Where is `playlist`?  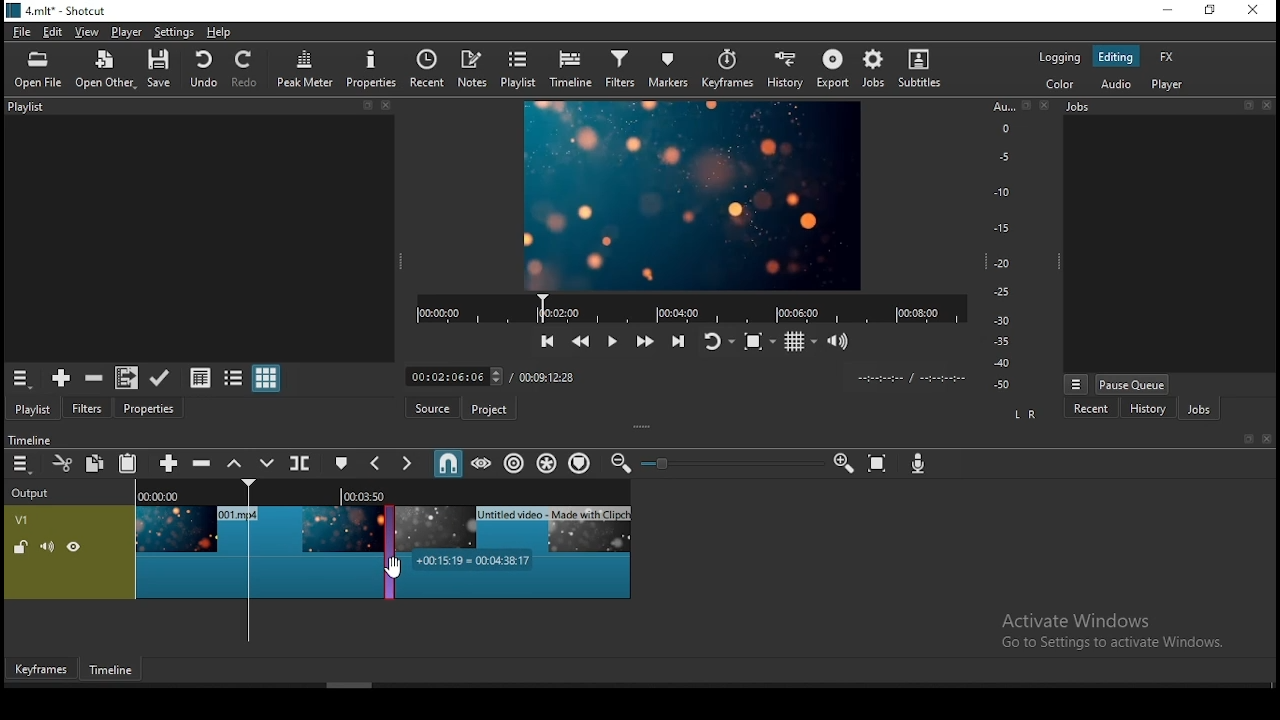
playlist is located at coordinates (520, 69).